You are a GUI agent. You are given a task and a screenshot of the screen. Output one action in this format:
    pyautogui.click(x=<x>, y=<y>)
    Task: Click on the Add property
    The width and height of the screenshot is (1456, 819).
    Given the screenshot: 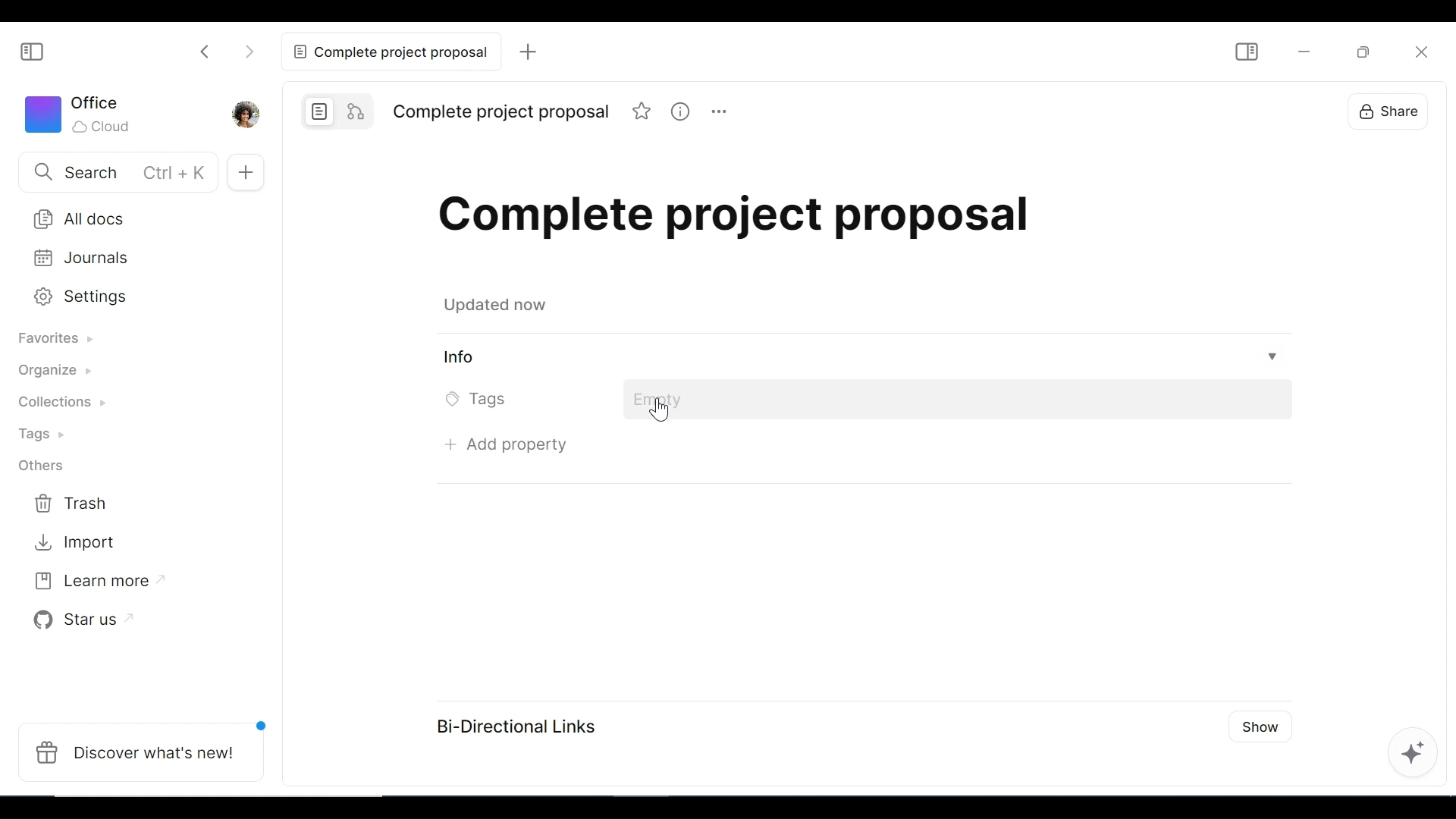 What is the action you would take?
    pyautogui.click(x=502, y=449)
    